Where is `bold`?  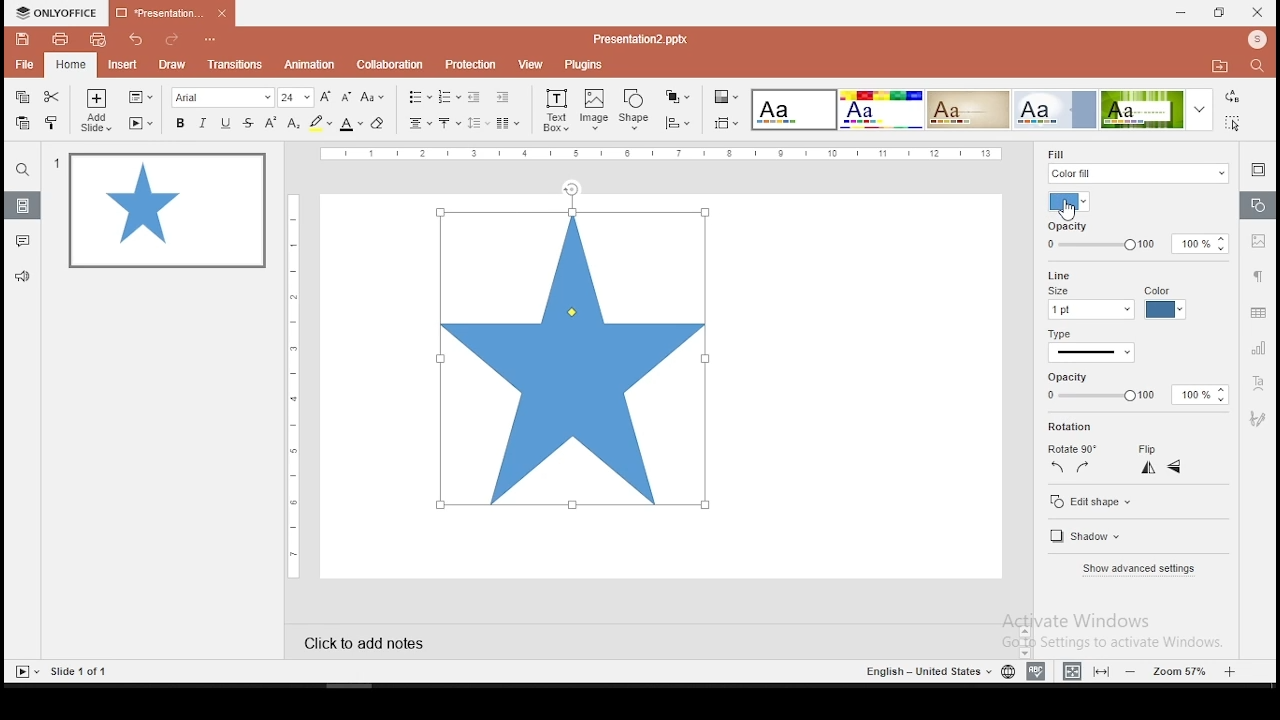 bold is located at coordinates (180, 123).